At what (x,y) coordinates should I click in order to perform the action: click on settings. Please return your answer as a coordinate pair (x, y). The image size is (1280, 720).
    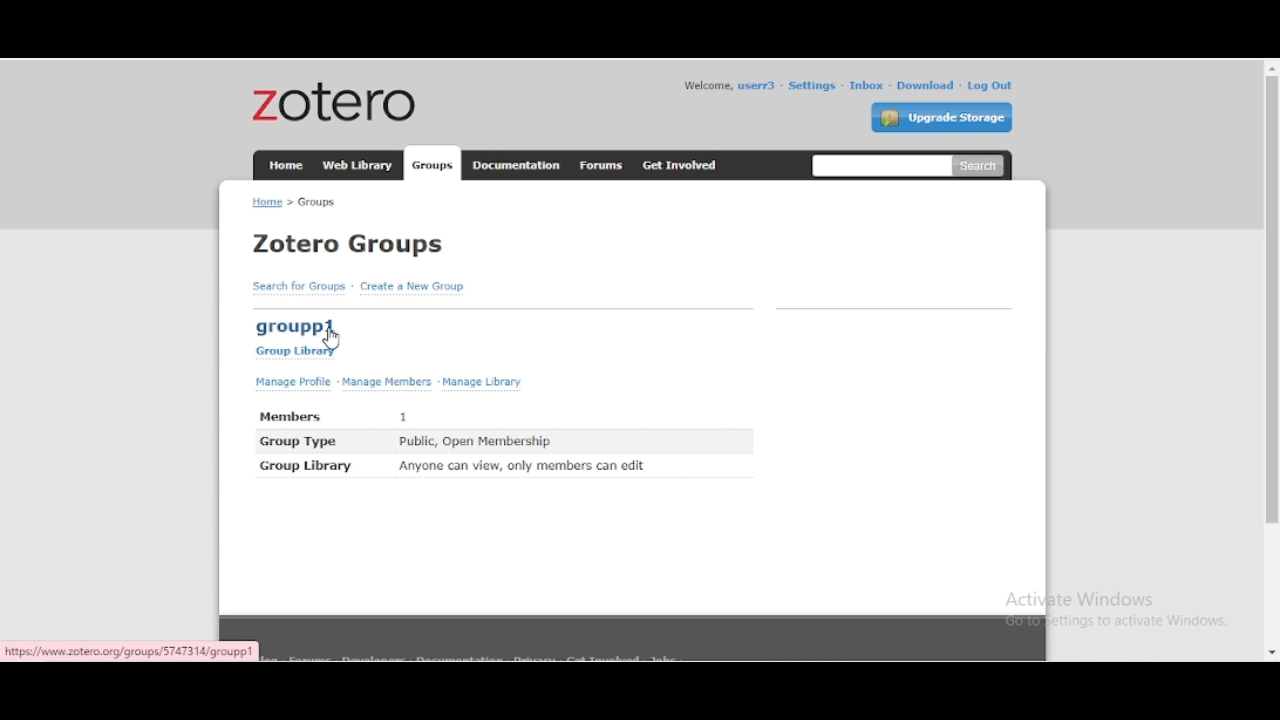
    Looking at the image, I should click on (812, 86).